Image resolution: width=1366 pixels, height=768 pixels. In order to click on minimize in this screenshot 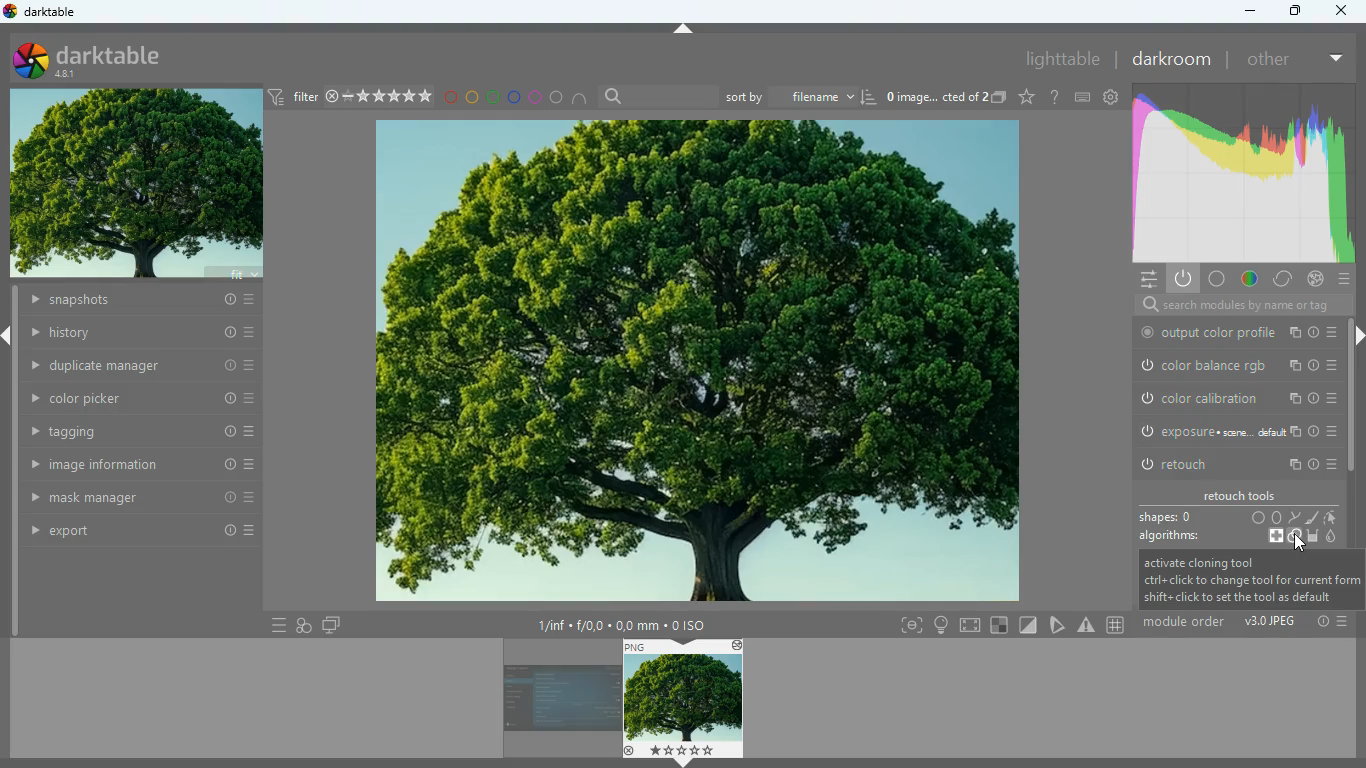, I will do `click(1247, 13)`.